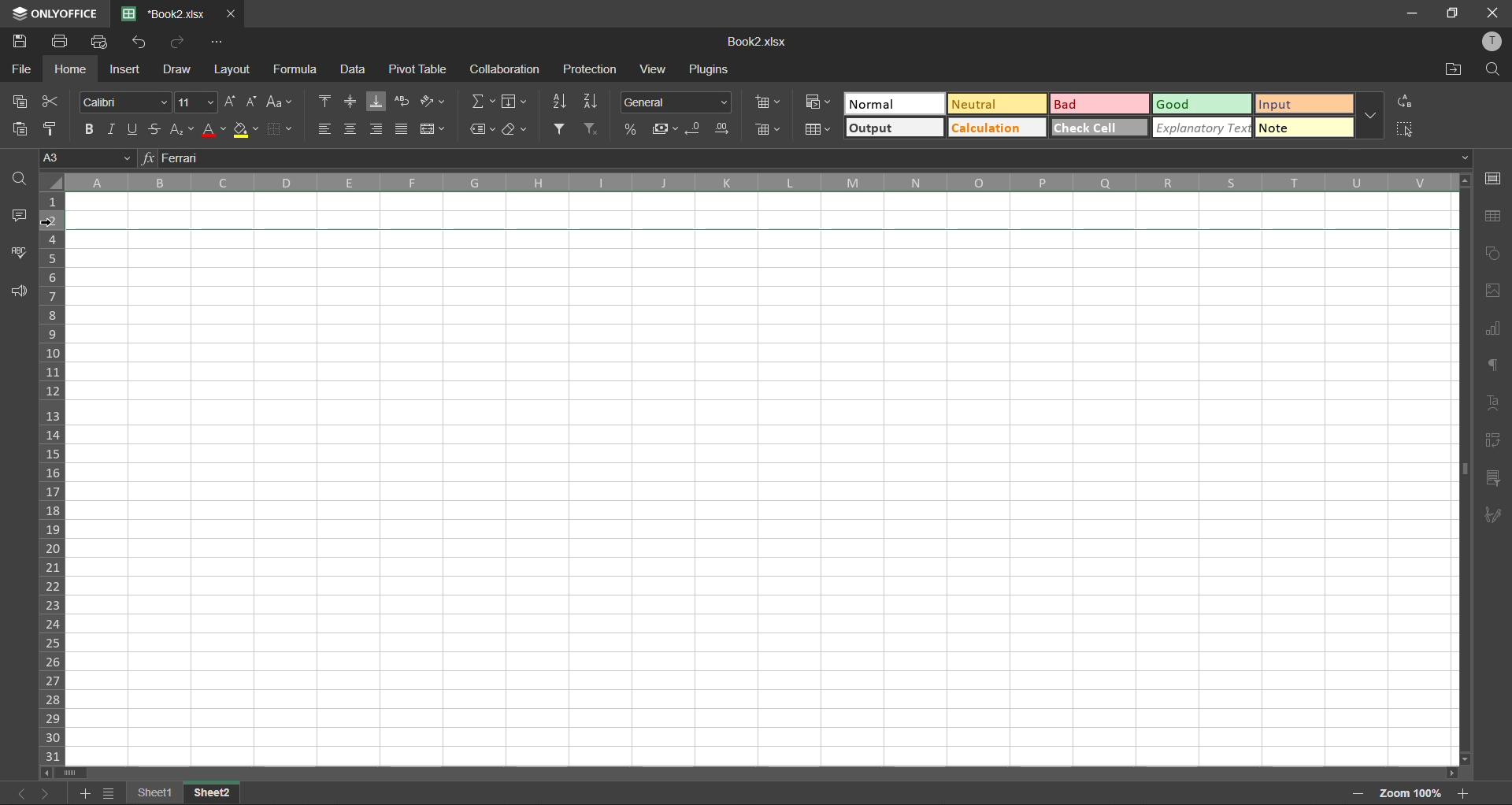 Image resolution: width=1512 pixels, height=805 pixels. Describe the element at coordinates (1493, 478) in the screenshot. I see `slicer` at that location.